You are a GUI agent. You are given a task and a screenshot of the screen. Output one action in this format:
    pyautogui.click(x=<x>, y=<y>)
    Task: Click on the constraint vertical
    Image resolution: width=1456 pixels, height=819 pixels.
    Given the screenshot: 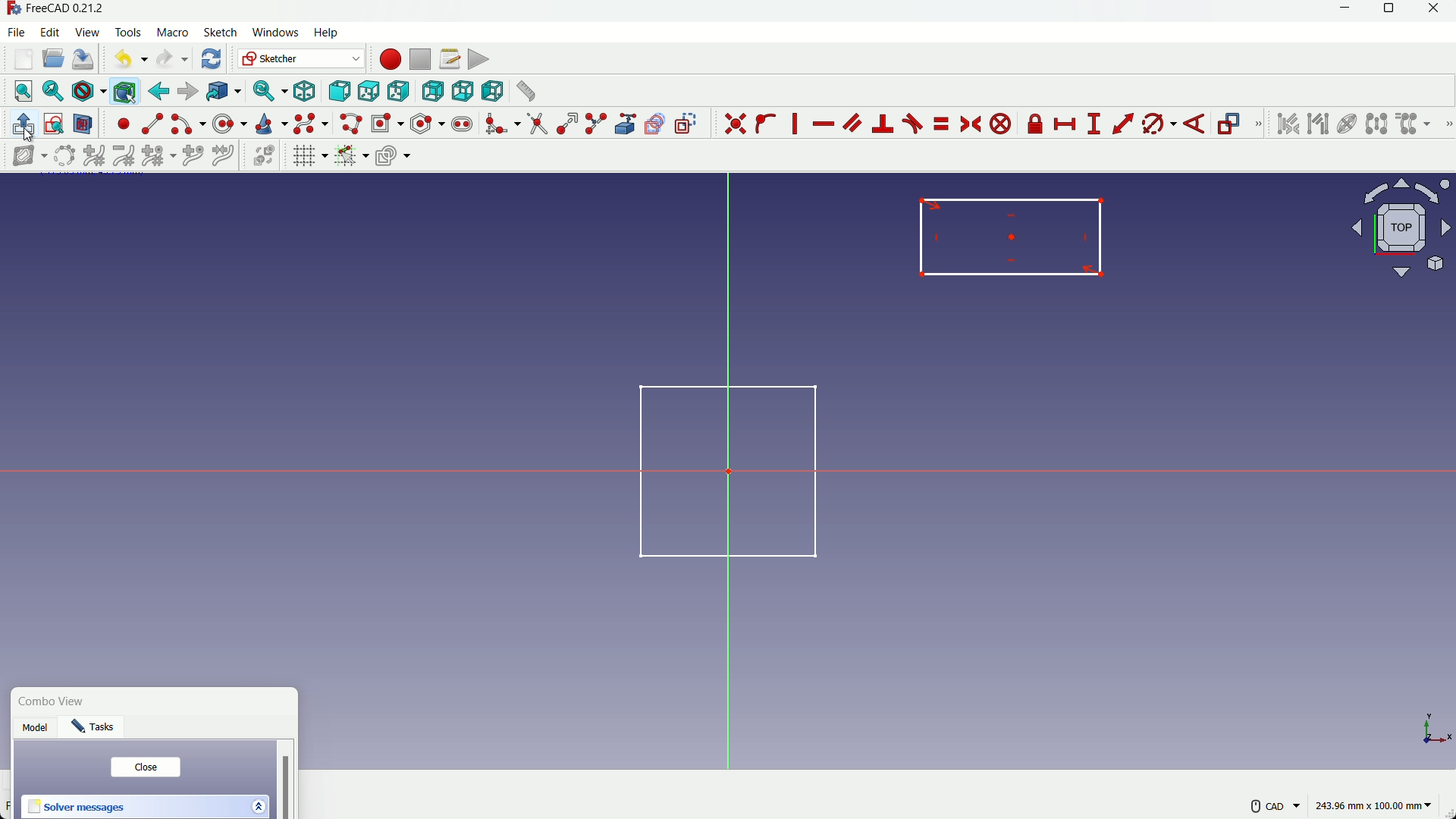 What is the action you would take?
    pyautogui.click(x=798, y=124)
    